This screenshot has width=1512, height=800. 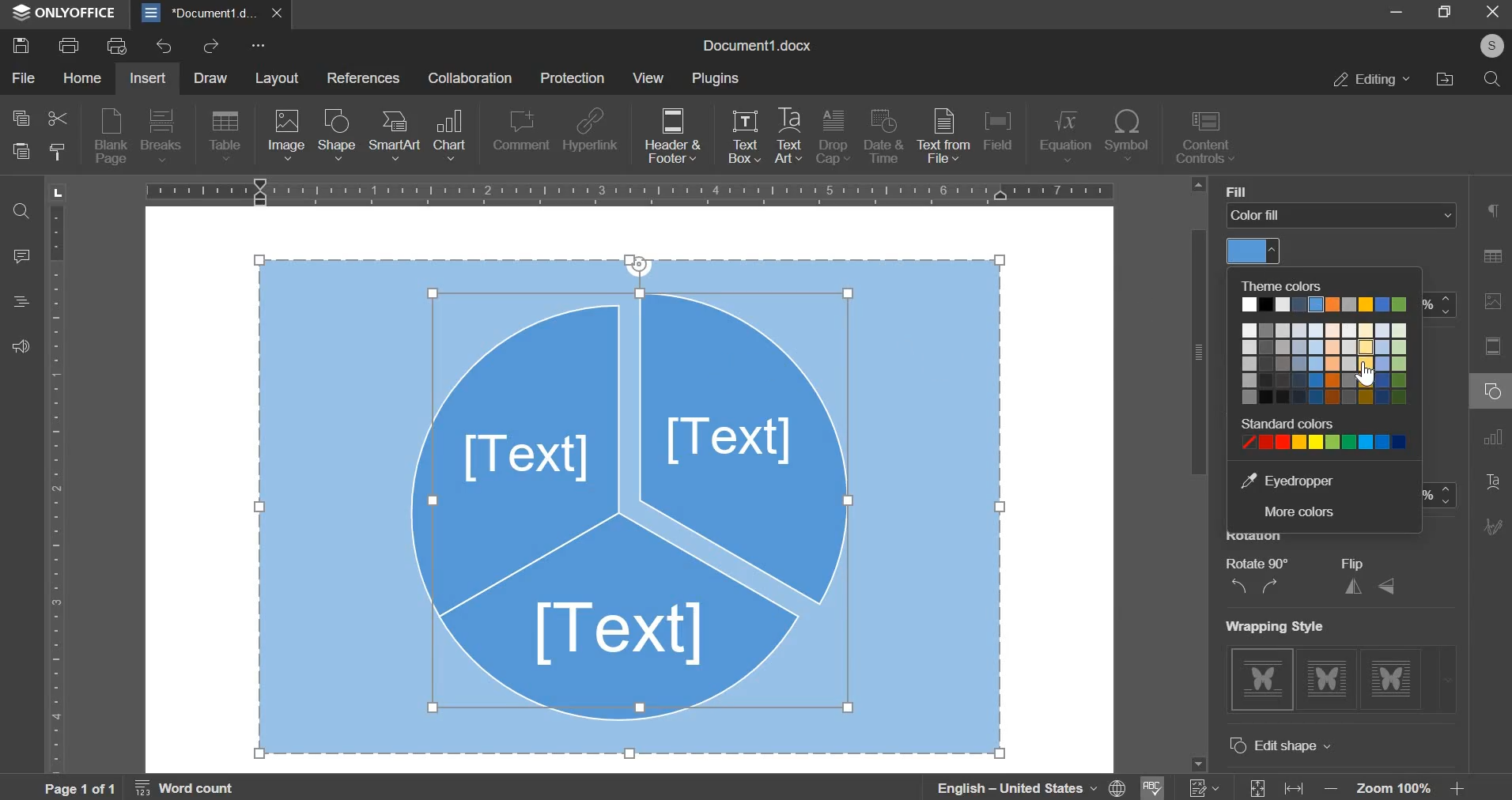 What do you see at coordinates (652, 80) in the screenshot?
I see `view` at bounding box center [652, 80].